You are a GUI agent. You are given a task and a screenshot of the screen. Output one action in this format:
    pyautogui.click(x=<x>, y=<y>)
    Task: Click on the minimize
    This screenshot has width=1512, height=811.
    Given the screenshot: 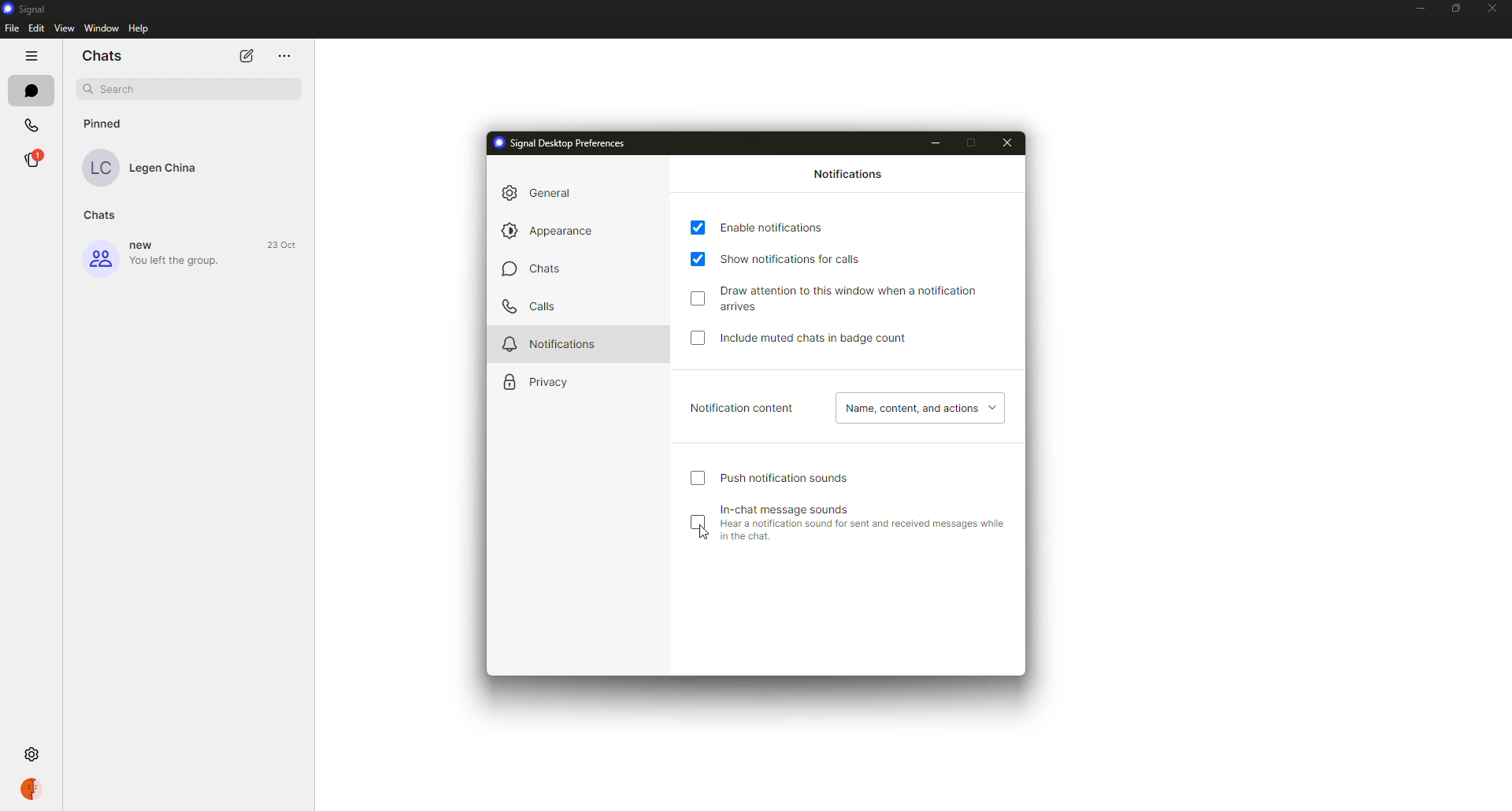 What is the action you would take?
    pyautogui.click(x=936, y=143)
    